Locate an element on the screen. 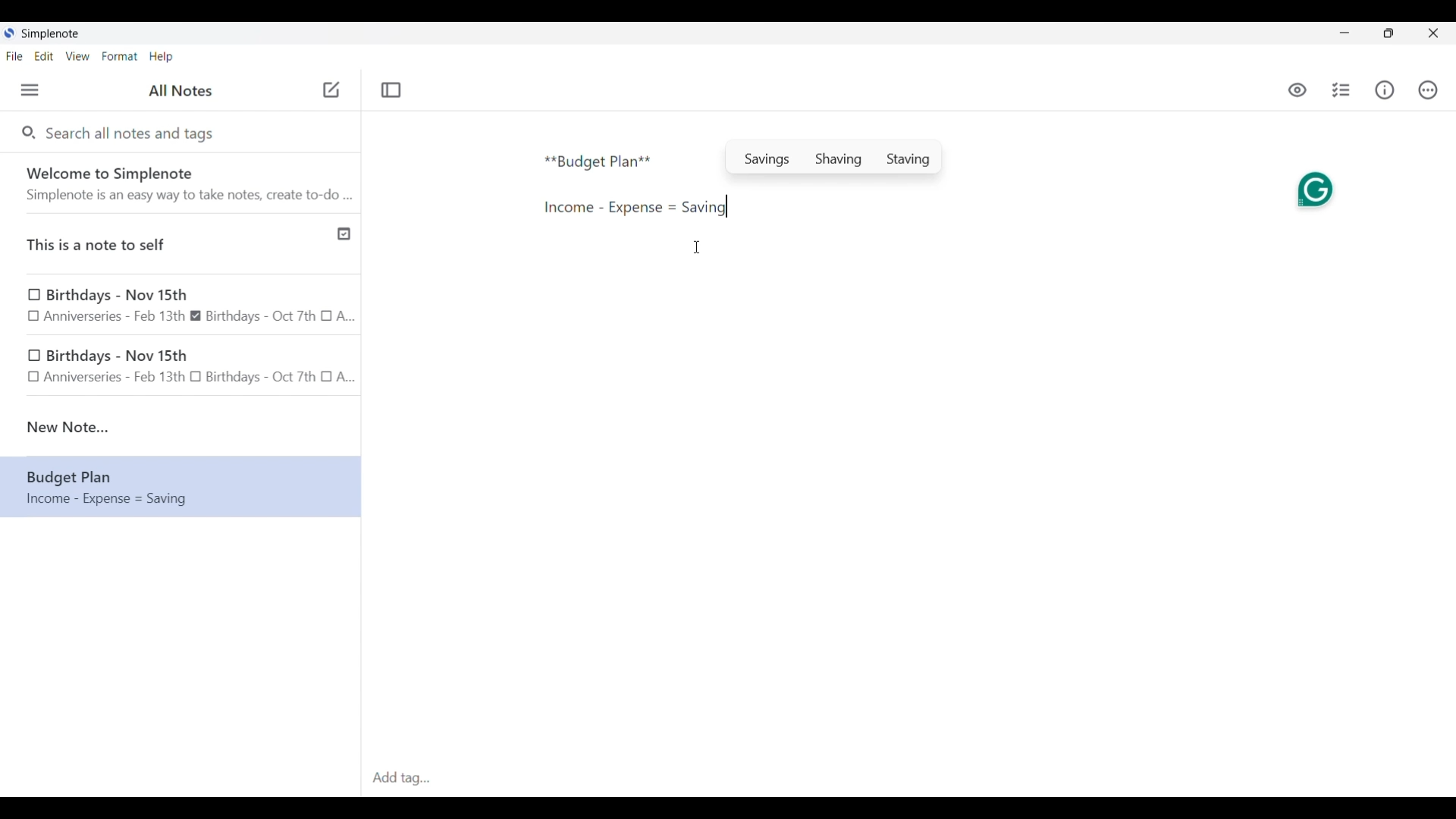  Click to type in tags is located at coordinates (908, 779).